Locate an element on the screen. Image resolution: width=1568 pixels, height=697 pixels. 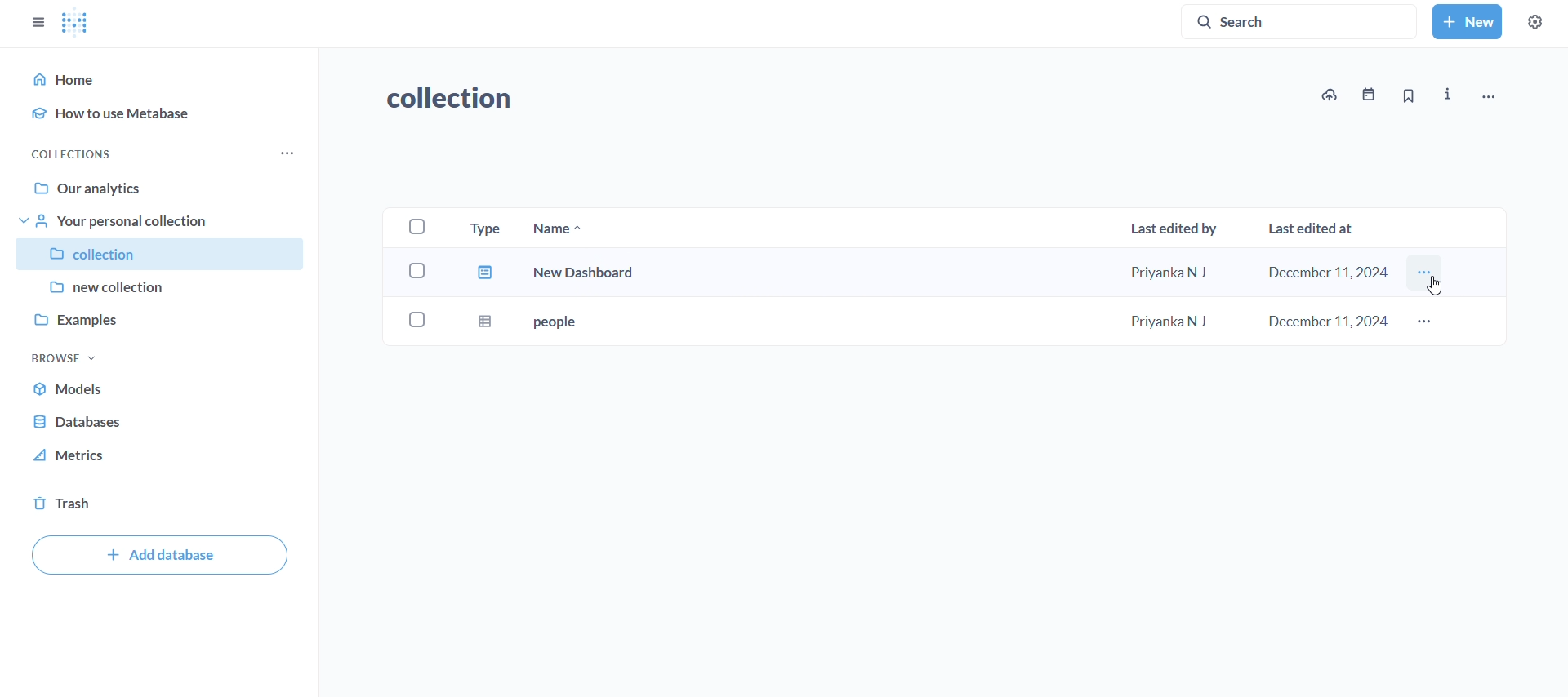
add database is located at coordinates (159, 557).